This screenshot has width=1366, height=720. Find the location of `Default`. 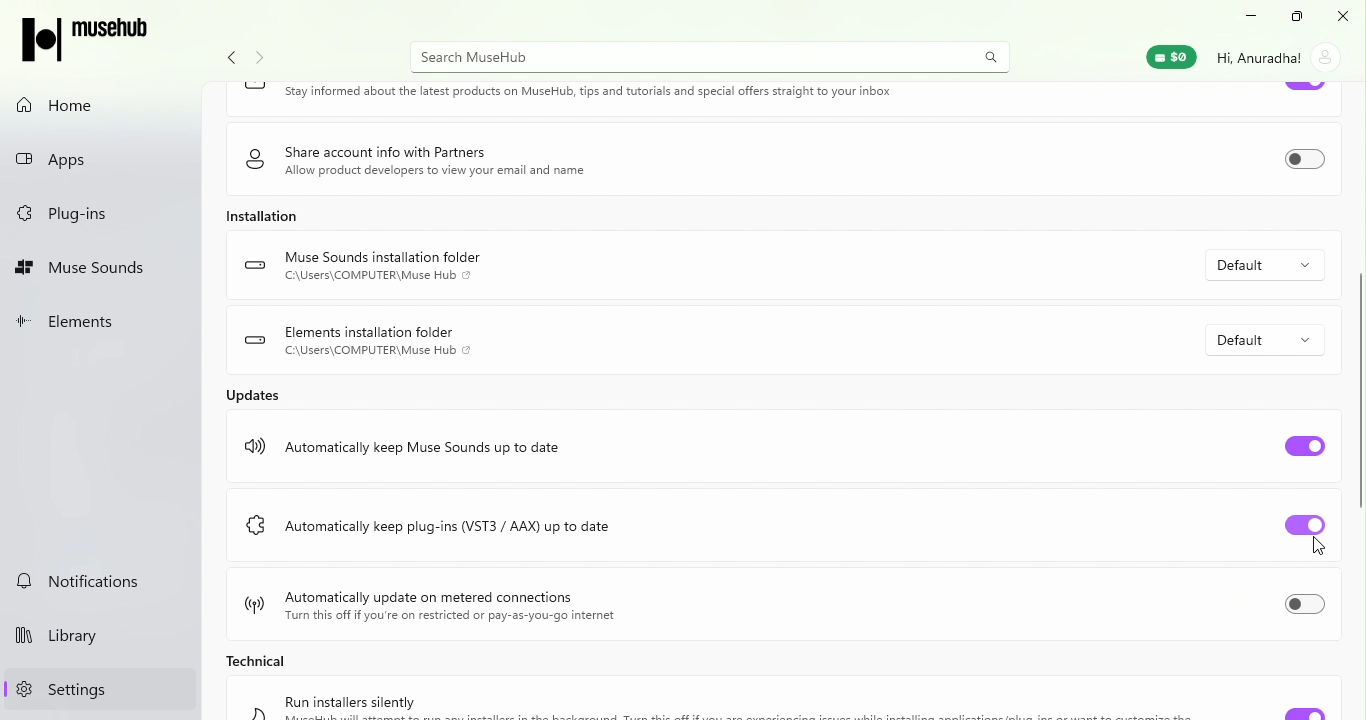

Default is located at coordinates (1265, 265).